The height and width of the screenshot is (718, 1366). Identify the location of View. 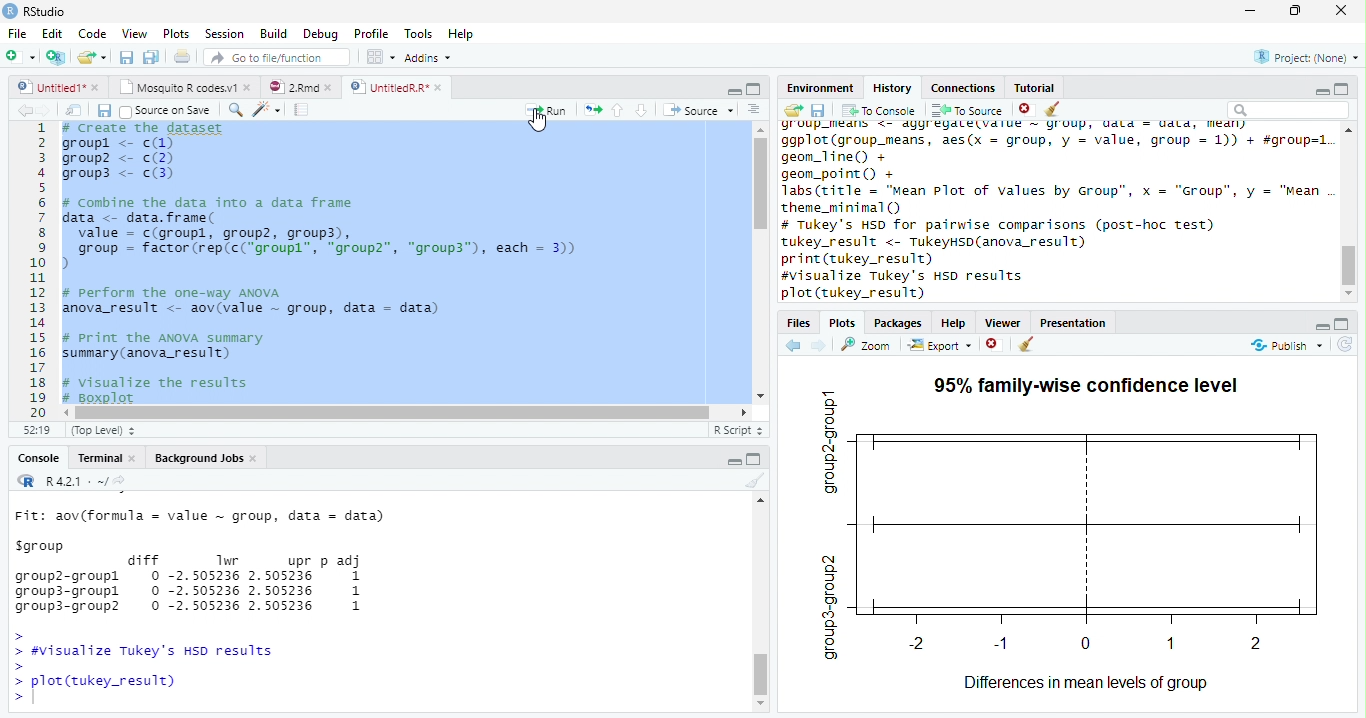
(134, 35).